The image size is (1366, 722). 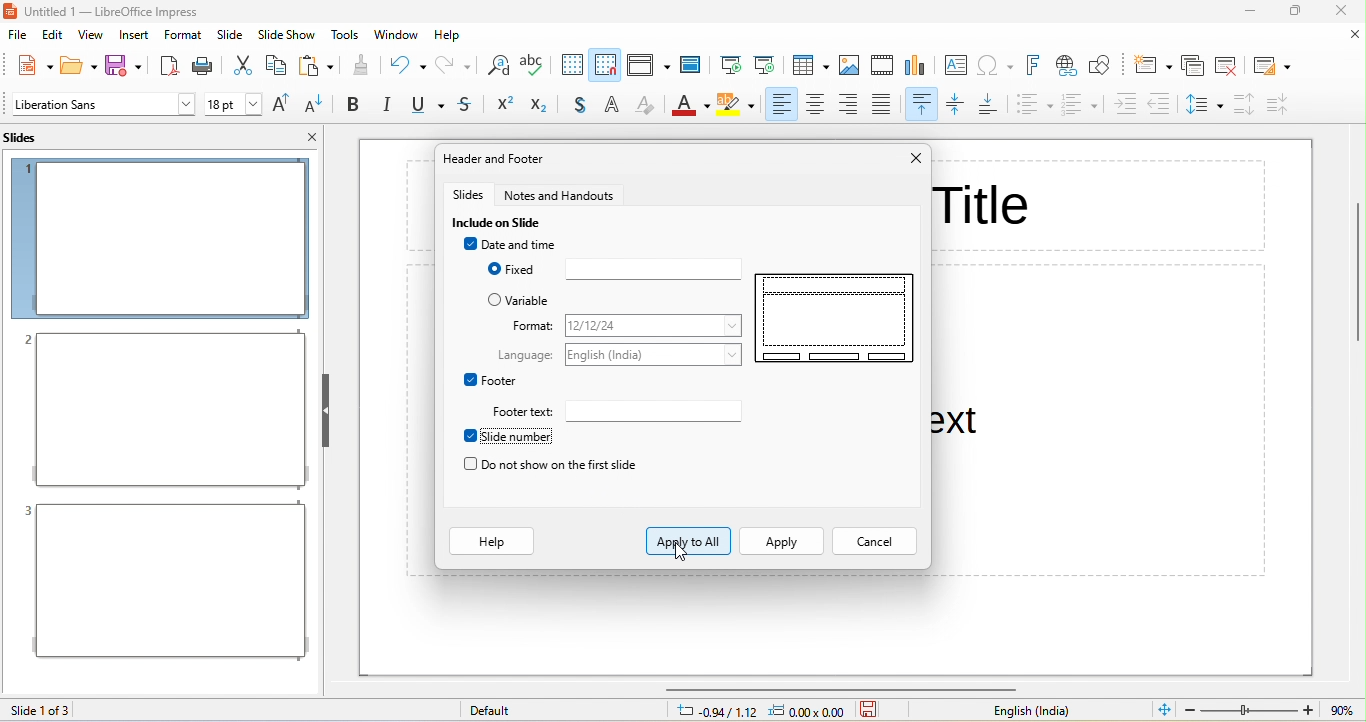 I want to click on clone formatting, so click(x=361, y=65).